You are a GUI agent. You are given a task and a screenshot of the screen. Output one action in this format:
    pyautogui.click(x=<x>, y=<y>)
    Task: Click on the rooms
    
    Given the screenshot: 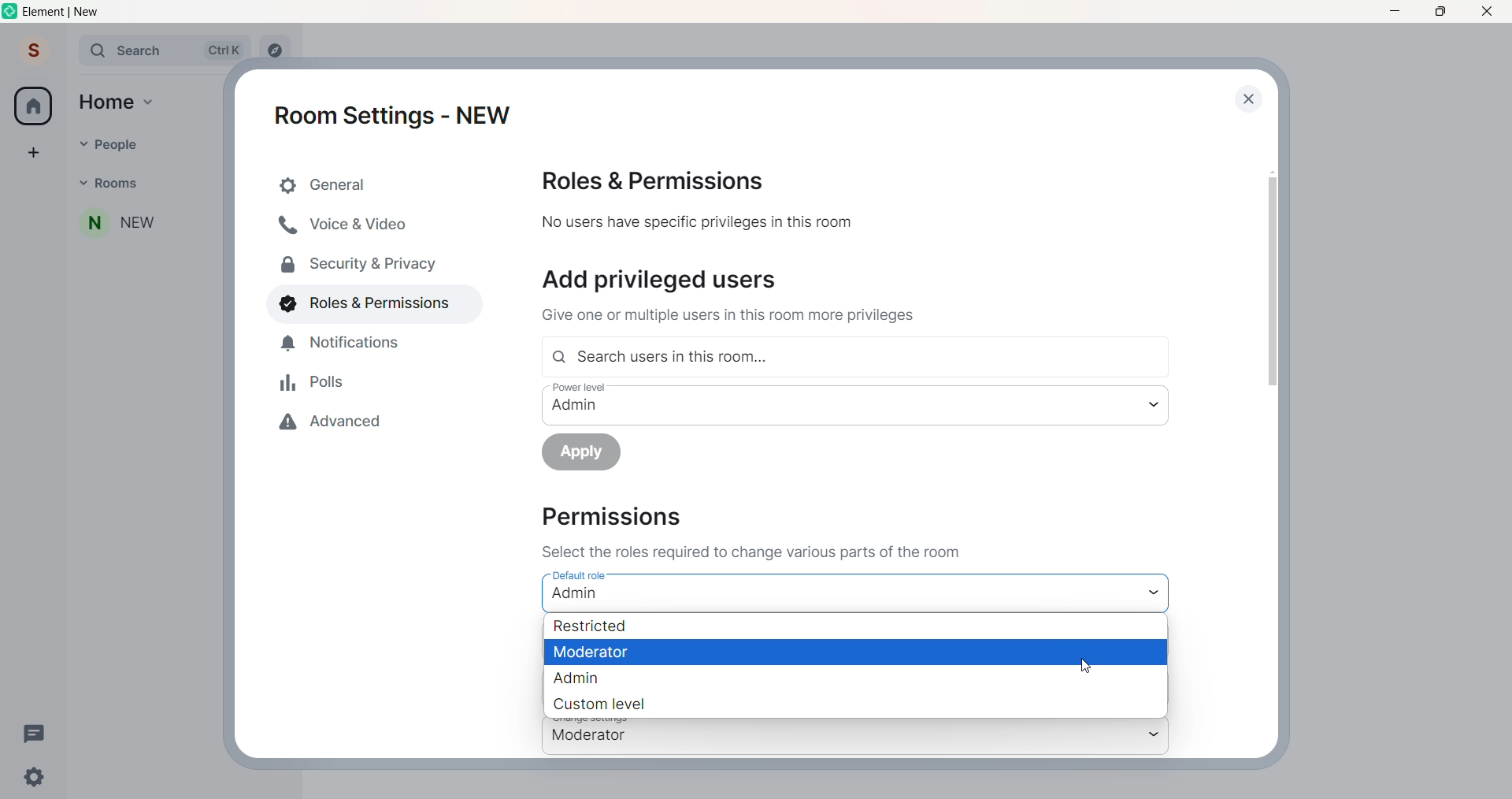 What is the action you would take?
    pyautogui.click(x=114, y=185)
    